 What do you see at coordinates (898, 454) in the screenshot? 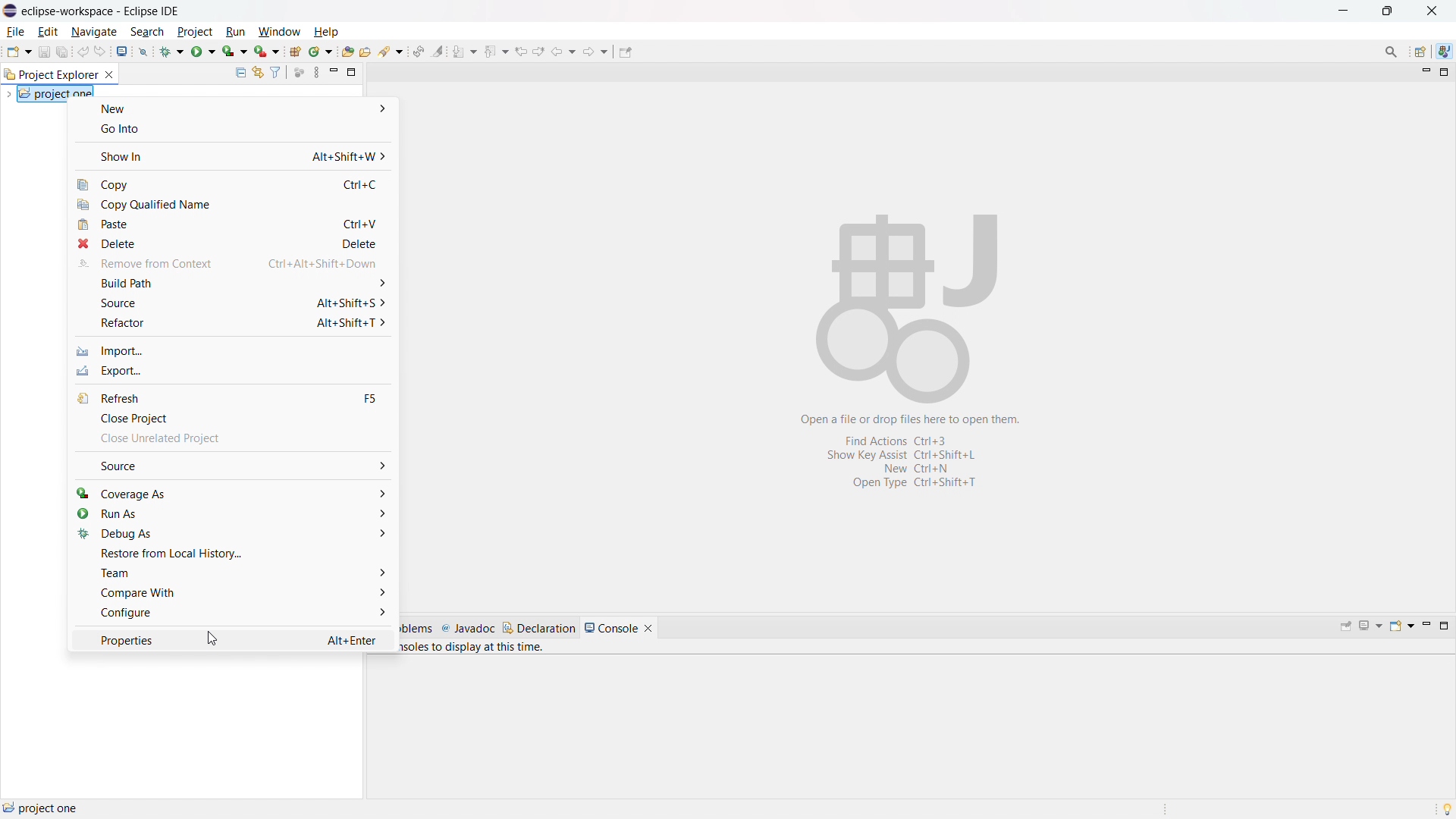
I see `show key assist ctrl+shift+L` at bounding box center [898, 454].